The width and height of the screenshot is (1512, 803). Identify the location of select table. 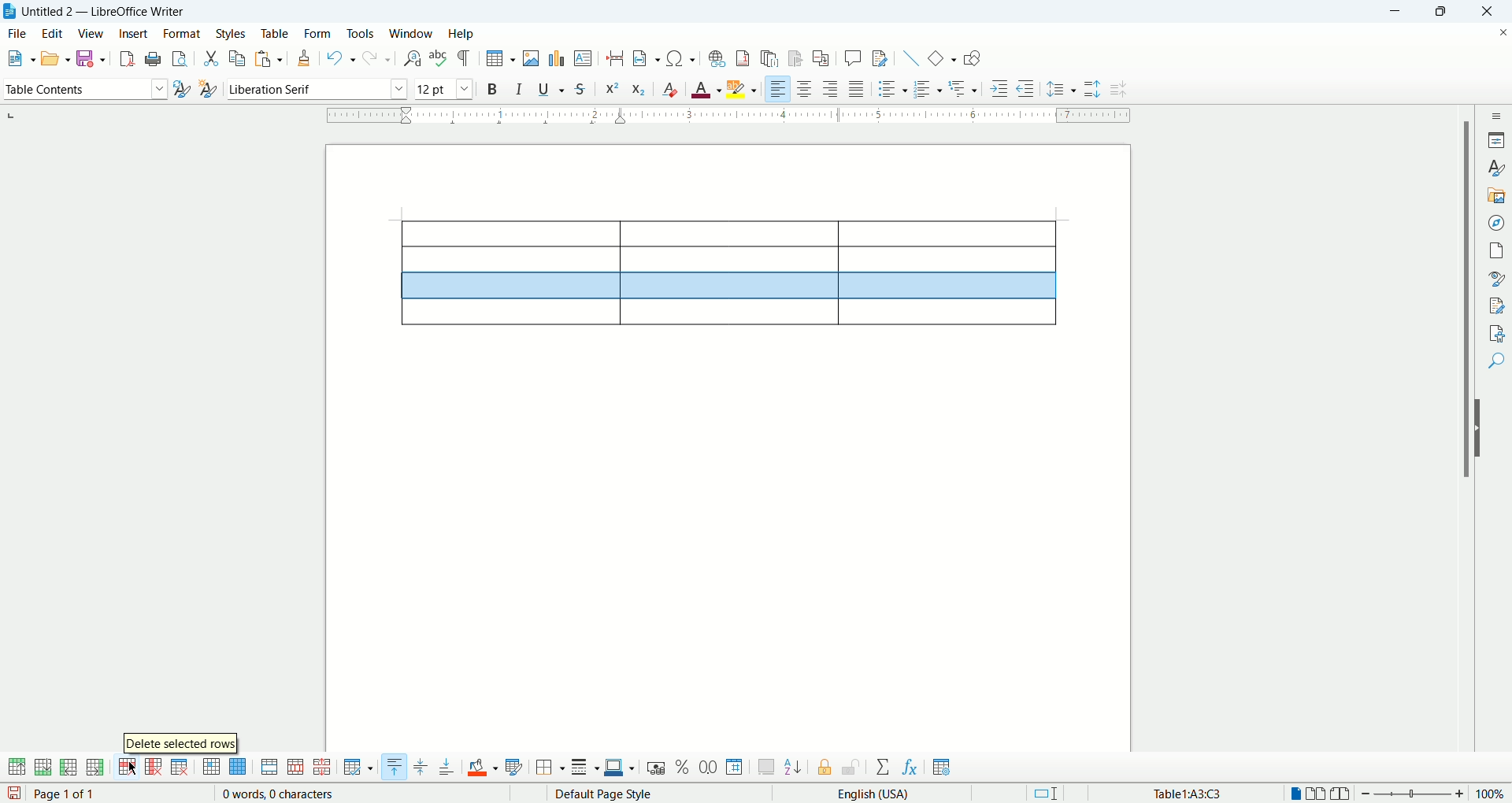
(238, 767).